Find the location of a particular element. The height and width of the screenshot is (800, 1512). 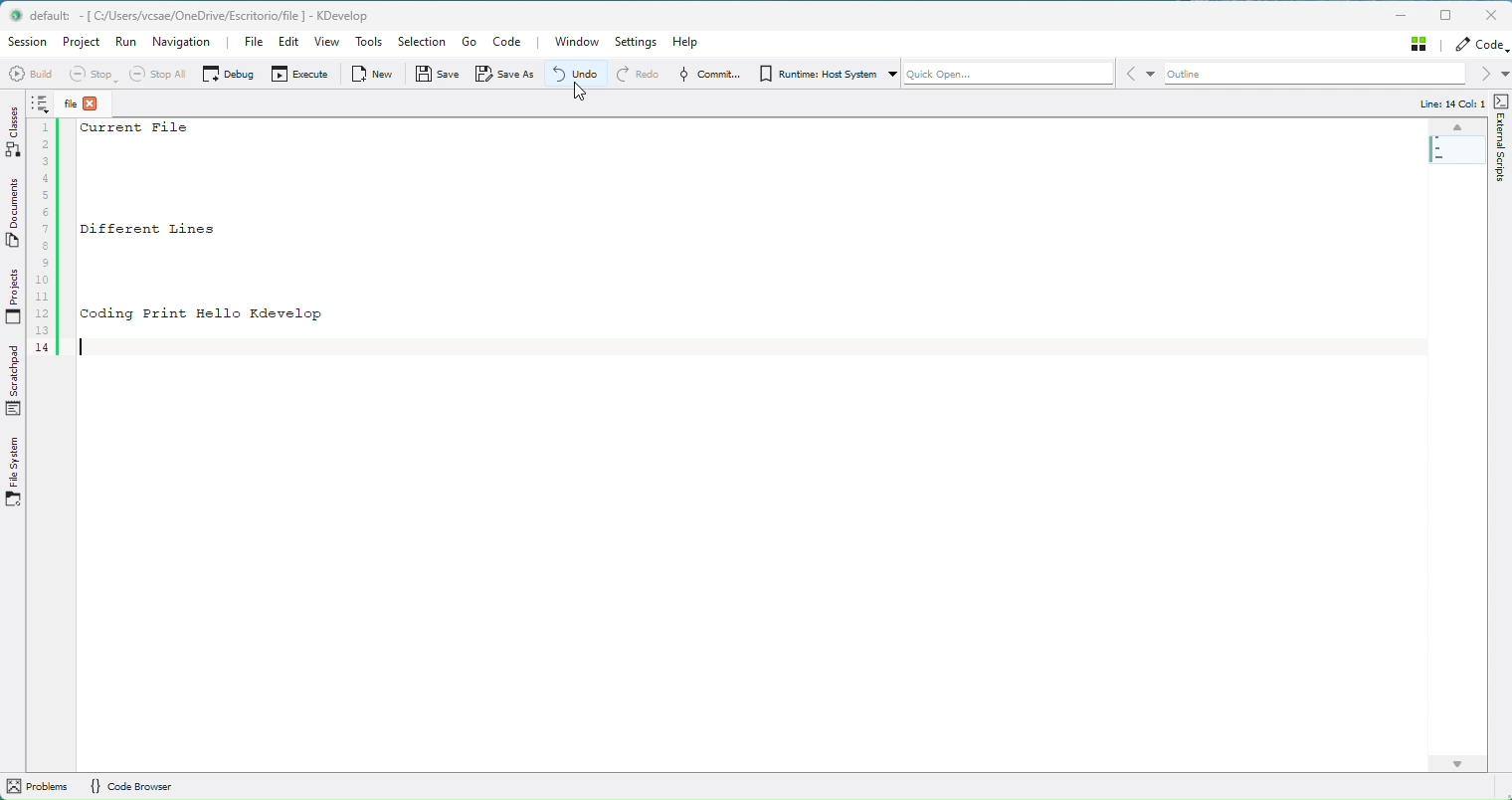

Minimap is located at coordinates (1455, 145).